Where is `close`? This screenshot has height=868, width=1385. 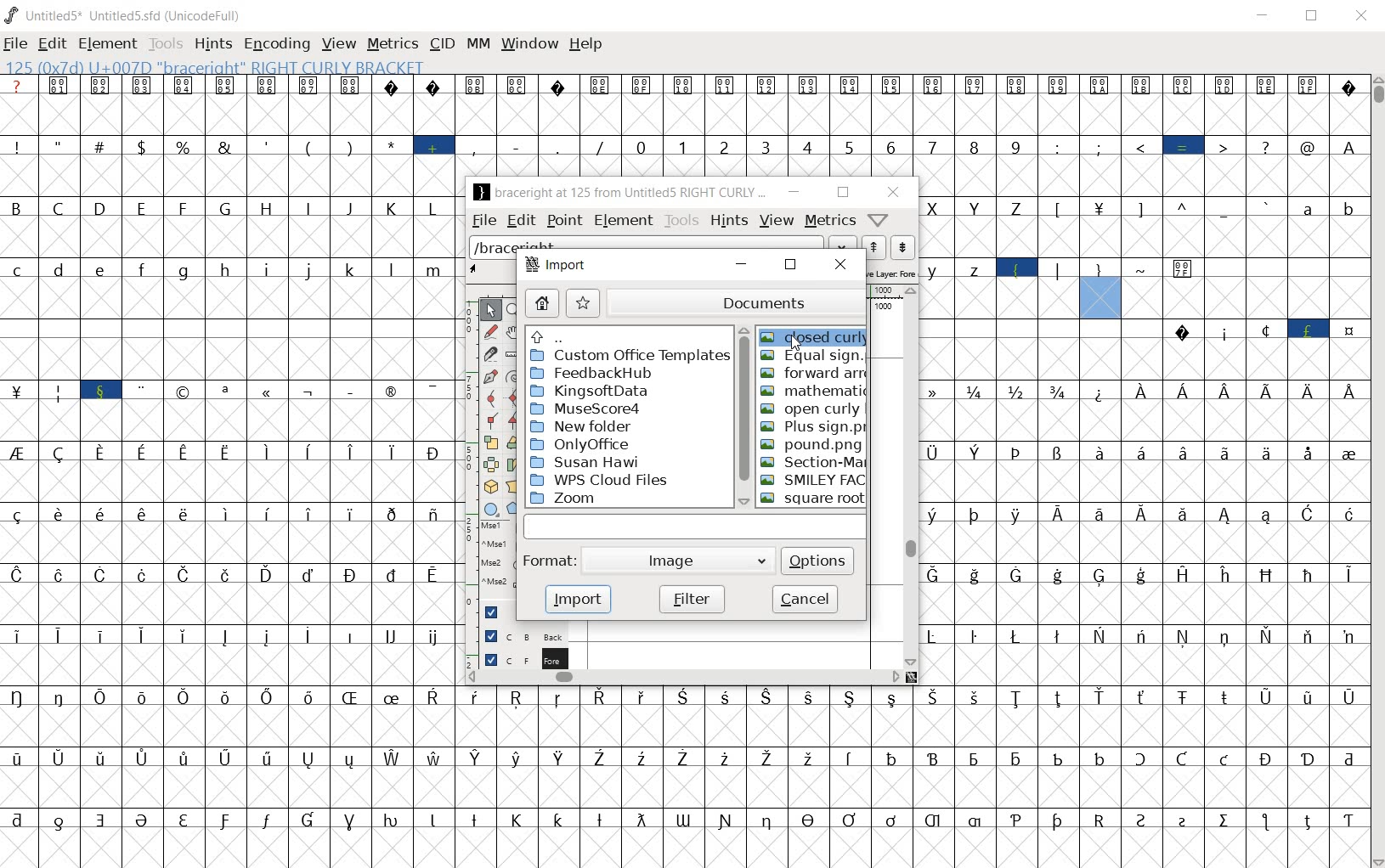 close is located at coordinates (894, 192).